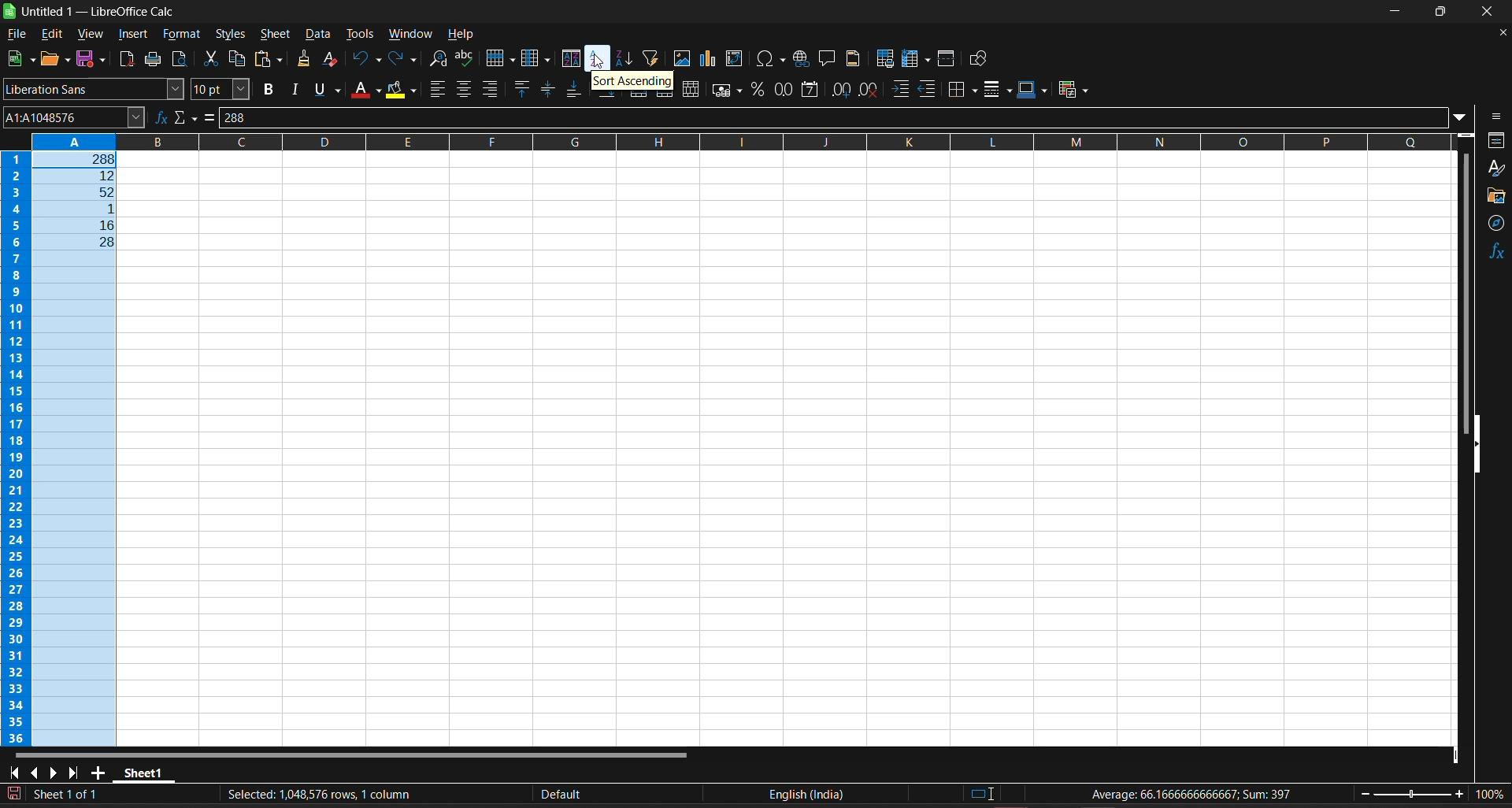  Describe the element at coordinates (997, 89) in the screenshot. I see `border style` at that location.